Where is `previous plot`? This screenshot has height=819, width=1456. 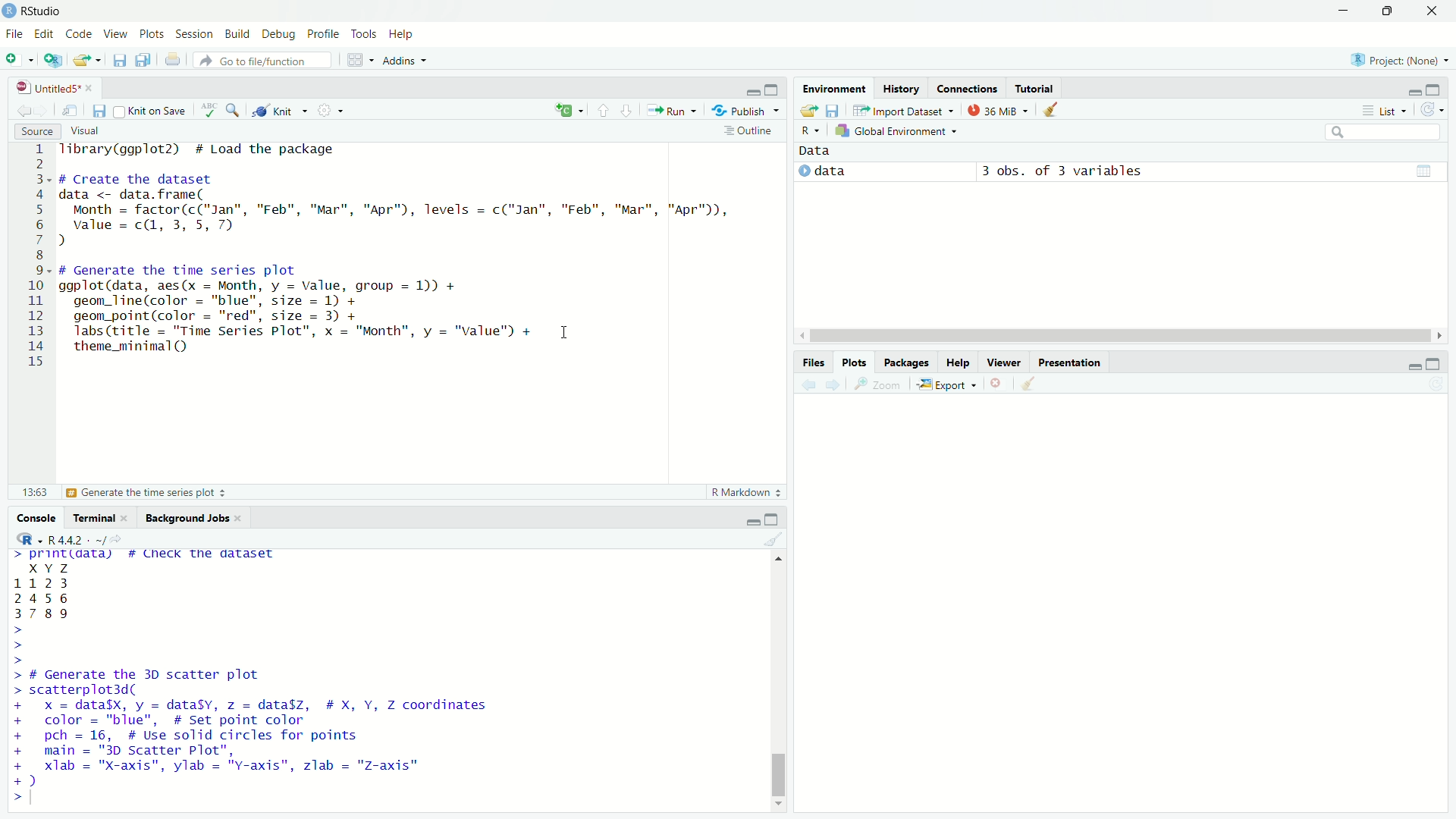 previous plot is located at coordinates (808, 384).